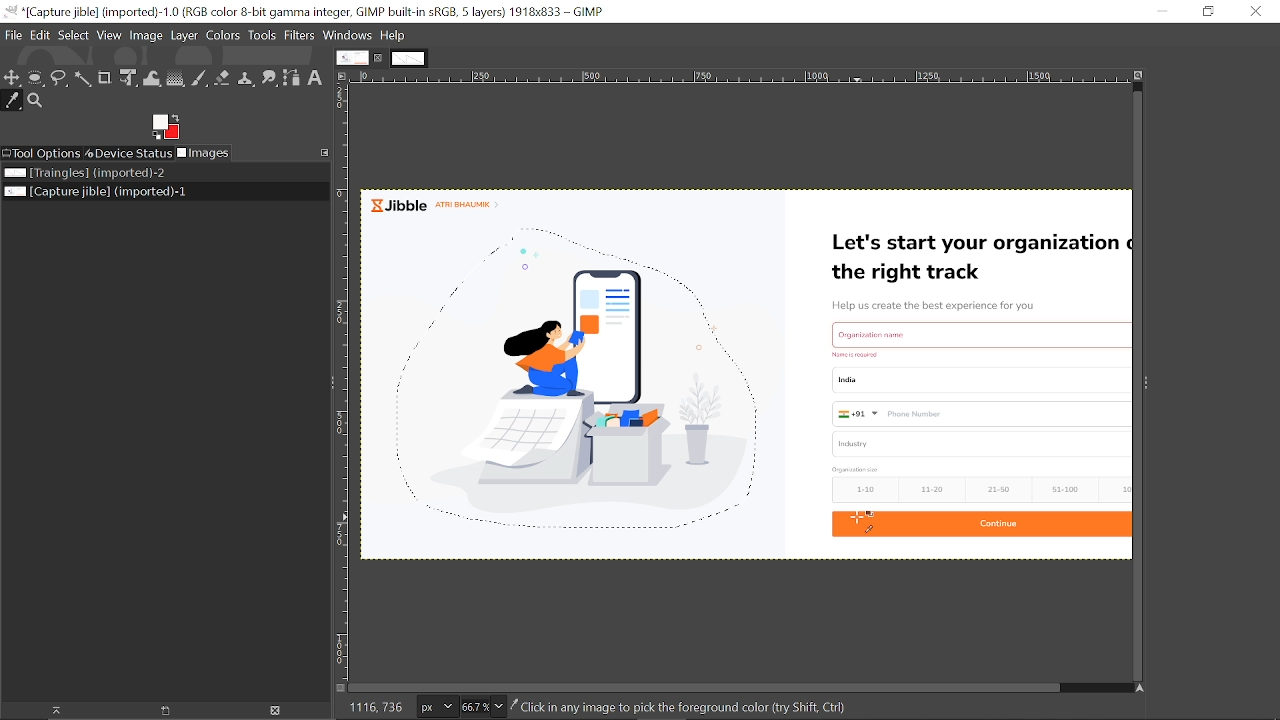 The image size is (1280, 720). I want to click on Horizontal scrollbar, so click(706, 687).